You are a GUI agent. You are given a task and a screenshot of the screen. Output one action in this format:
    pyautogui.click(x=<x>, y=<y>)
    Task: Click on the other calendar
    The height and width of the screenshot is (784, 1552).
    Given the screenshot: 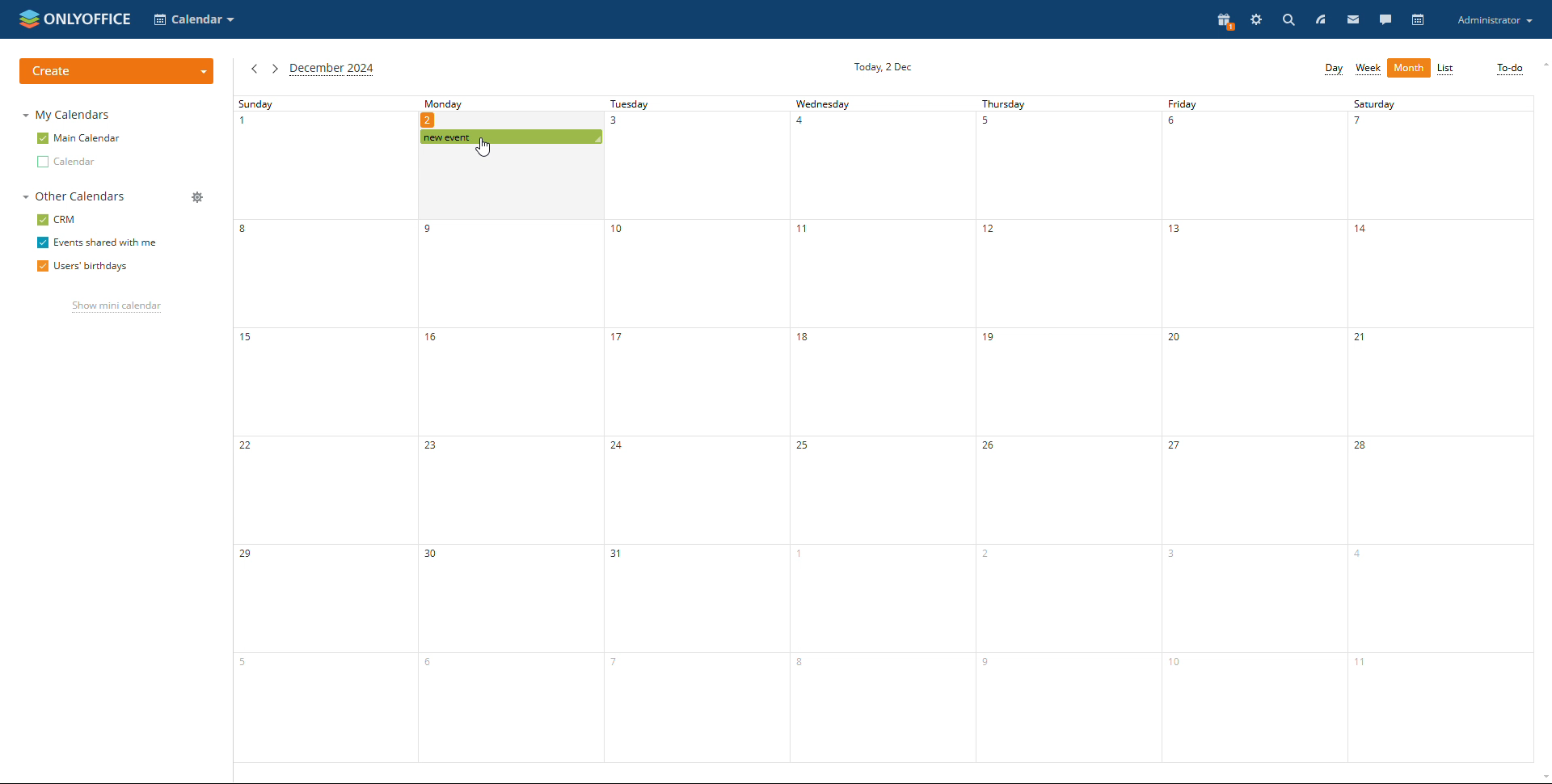 What is the action you would take?
    pyautogui.click(x=65, y=163)
    